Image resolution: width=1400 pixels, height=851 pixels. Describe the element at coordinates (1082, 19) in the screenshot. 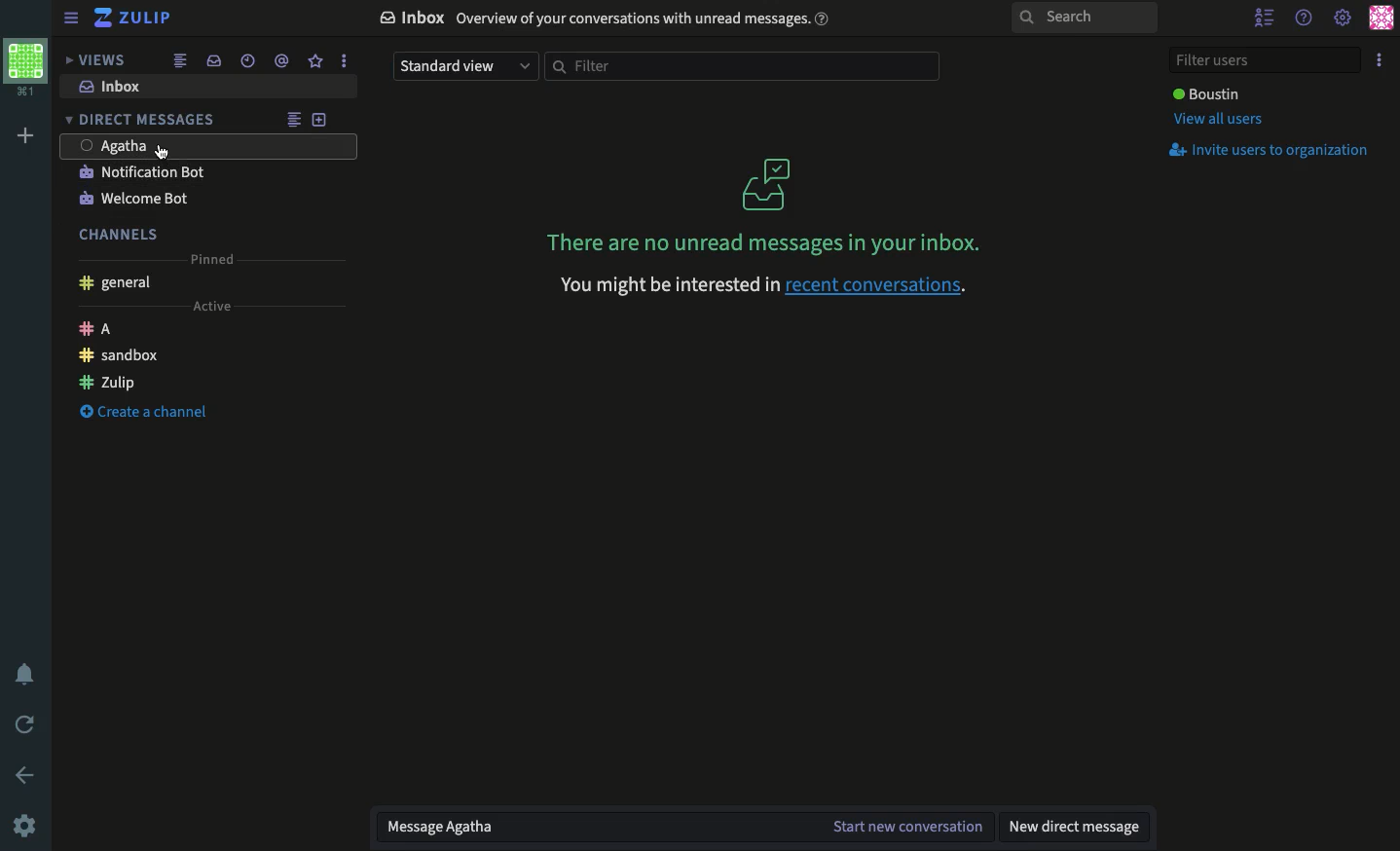

I see `Search` at that location.